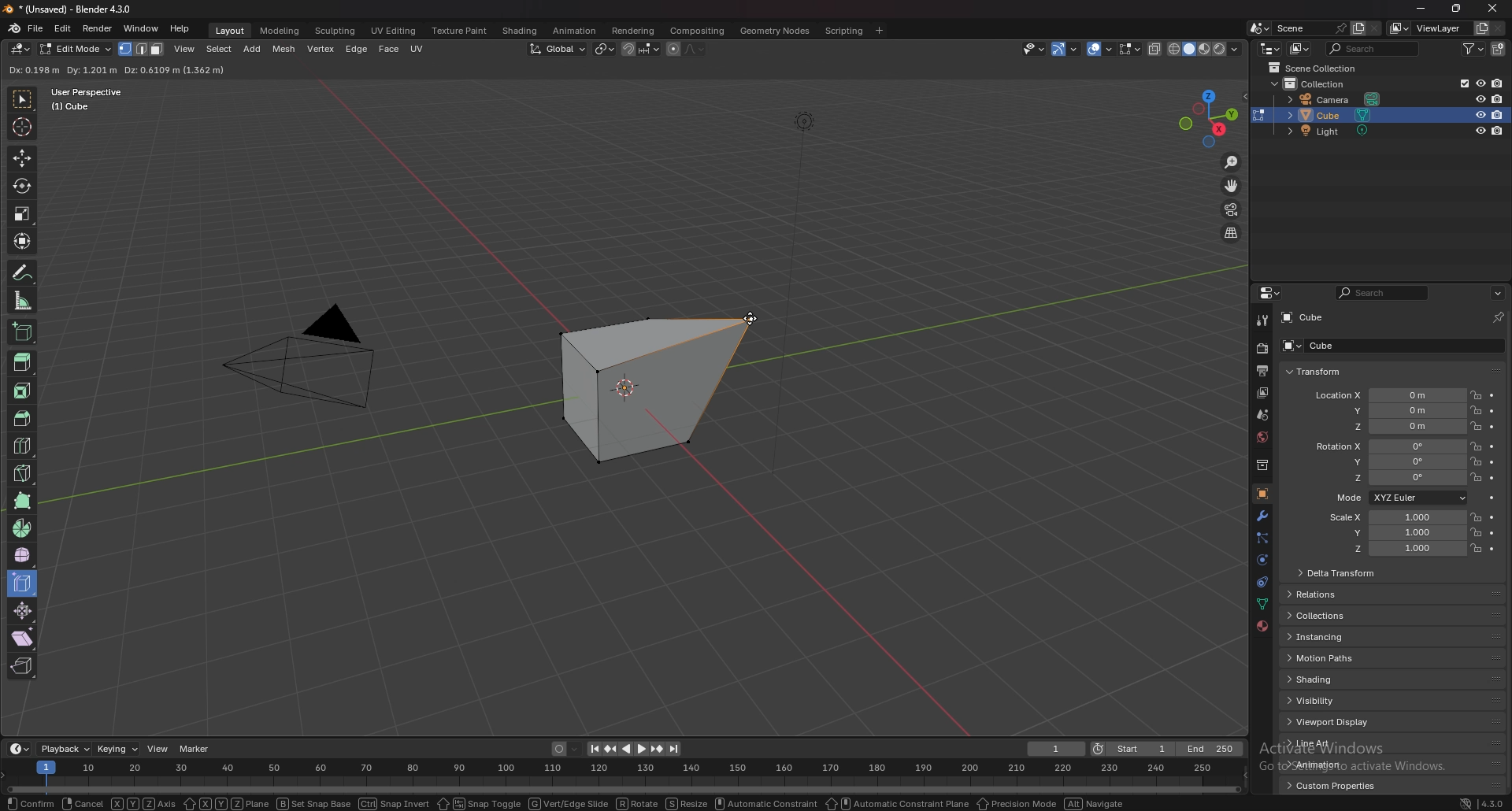 This screenshot has width=1512, height=811. What do you see at coordinates (1321, 67) in the screenshot?
I see `scene collection` at bounding box center [1321, 67].